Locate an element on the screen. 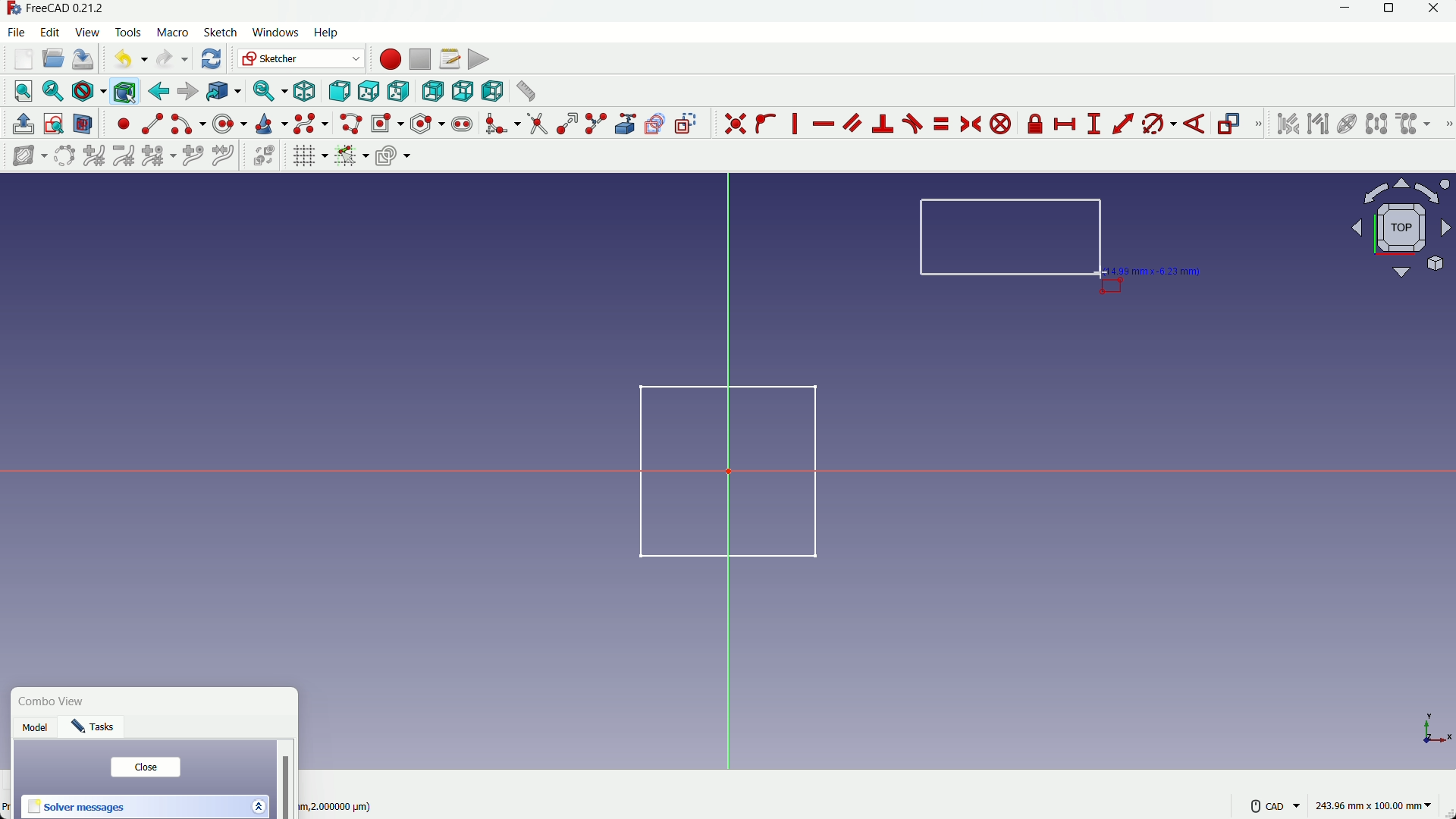  create arc is located at coordinates (188, 124).